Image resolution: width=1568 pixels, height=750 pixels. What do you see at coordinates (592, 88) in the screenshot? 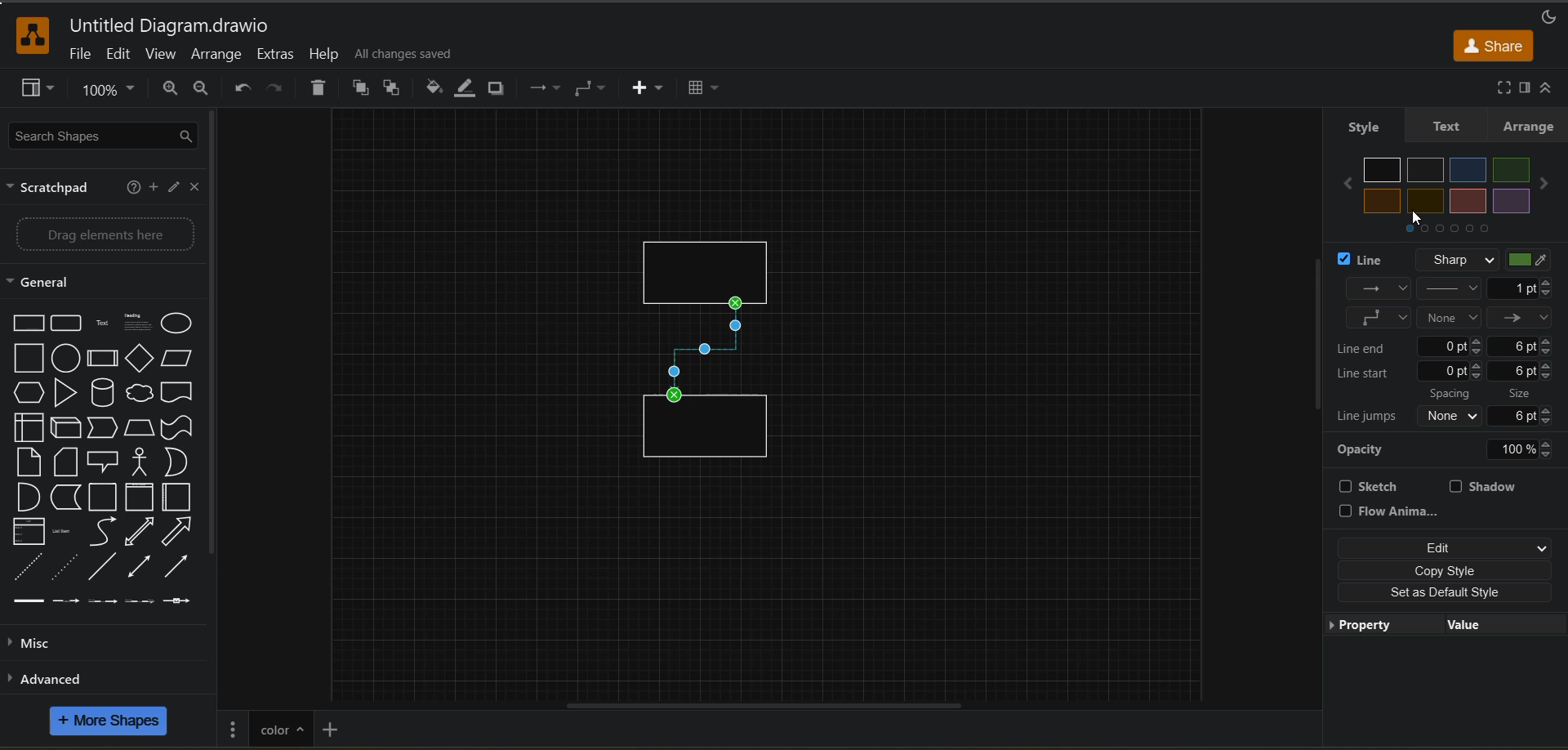
I see `connectors` at bounding box center [592, 88].